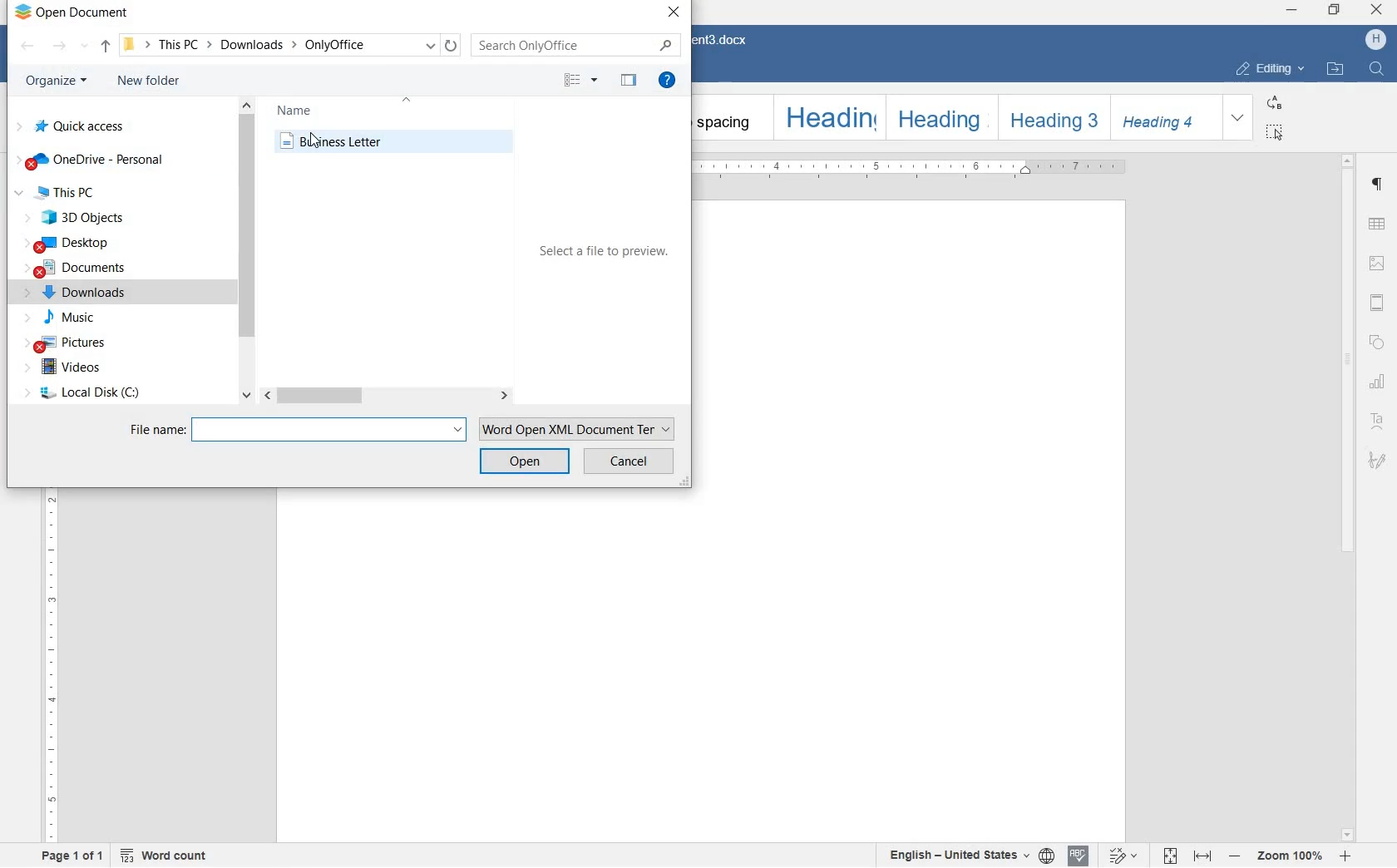  I want to click on OneDrive Personal, so click(90, 162).